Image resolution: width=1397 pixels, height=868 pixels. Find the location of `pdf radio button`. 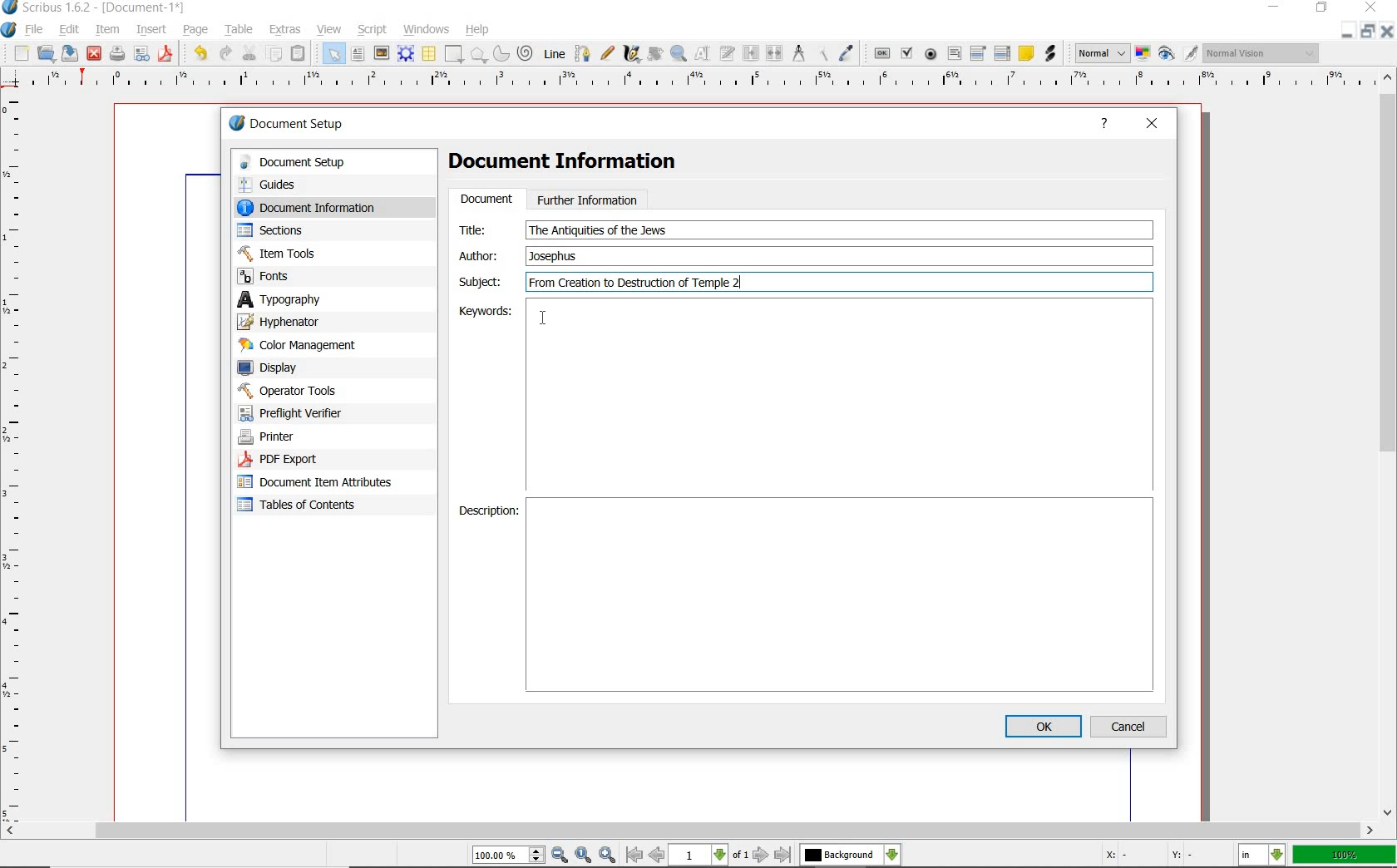

pdf radio button is located at coordinates (931, 54).